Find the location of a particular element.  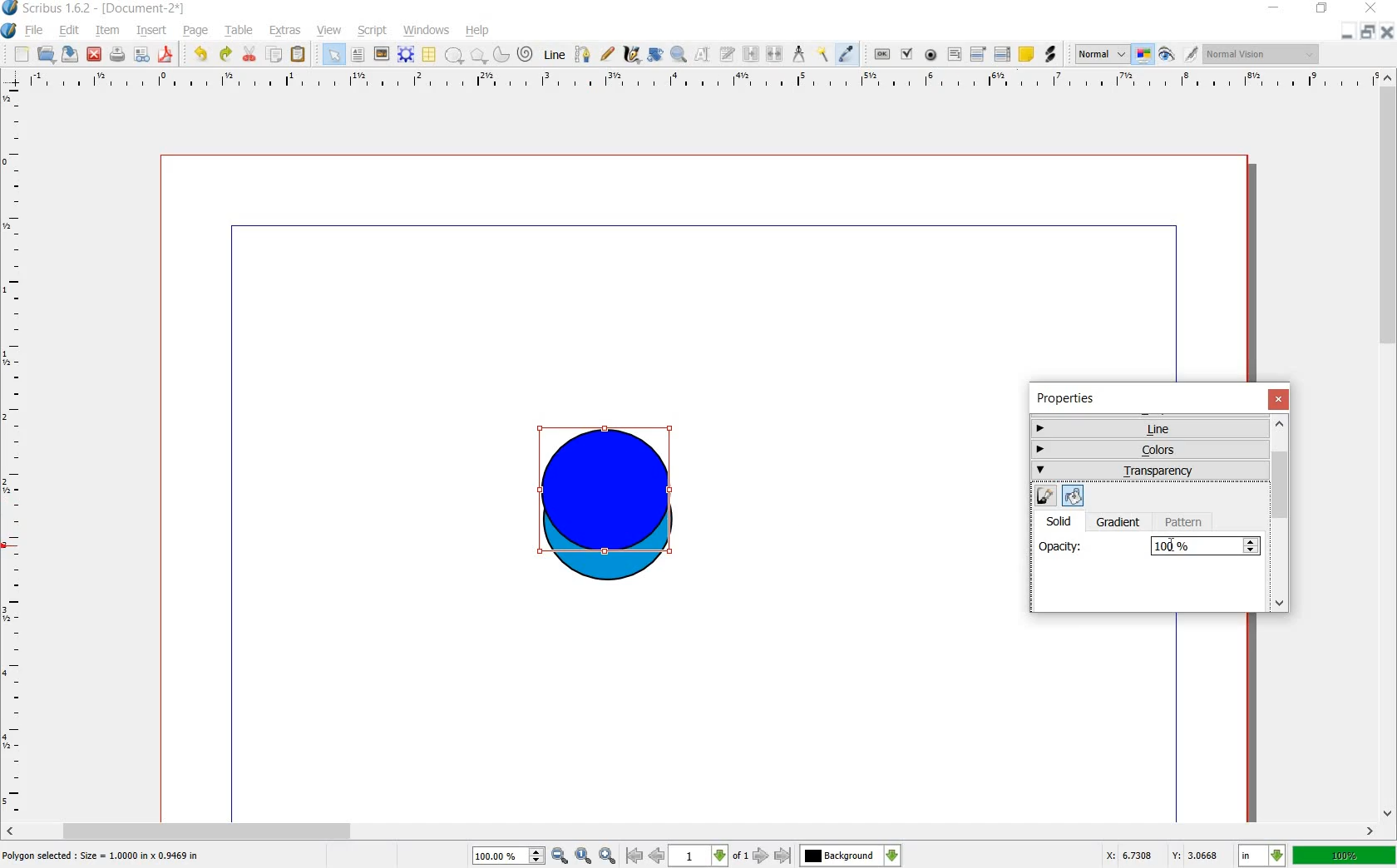

pdf push button is located at coordinates (881, 55).